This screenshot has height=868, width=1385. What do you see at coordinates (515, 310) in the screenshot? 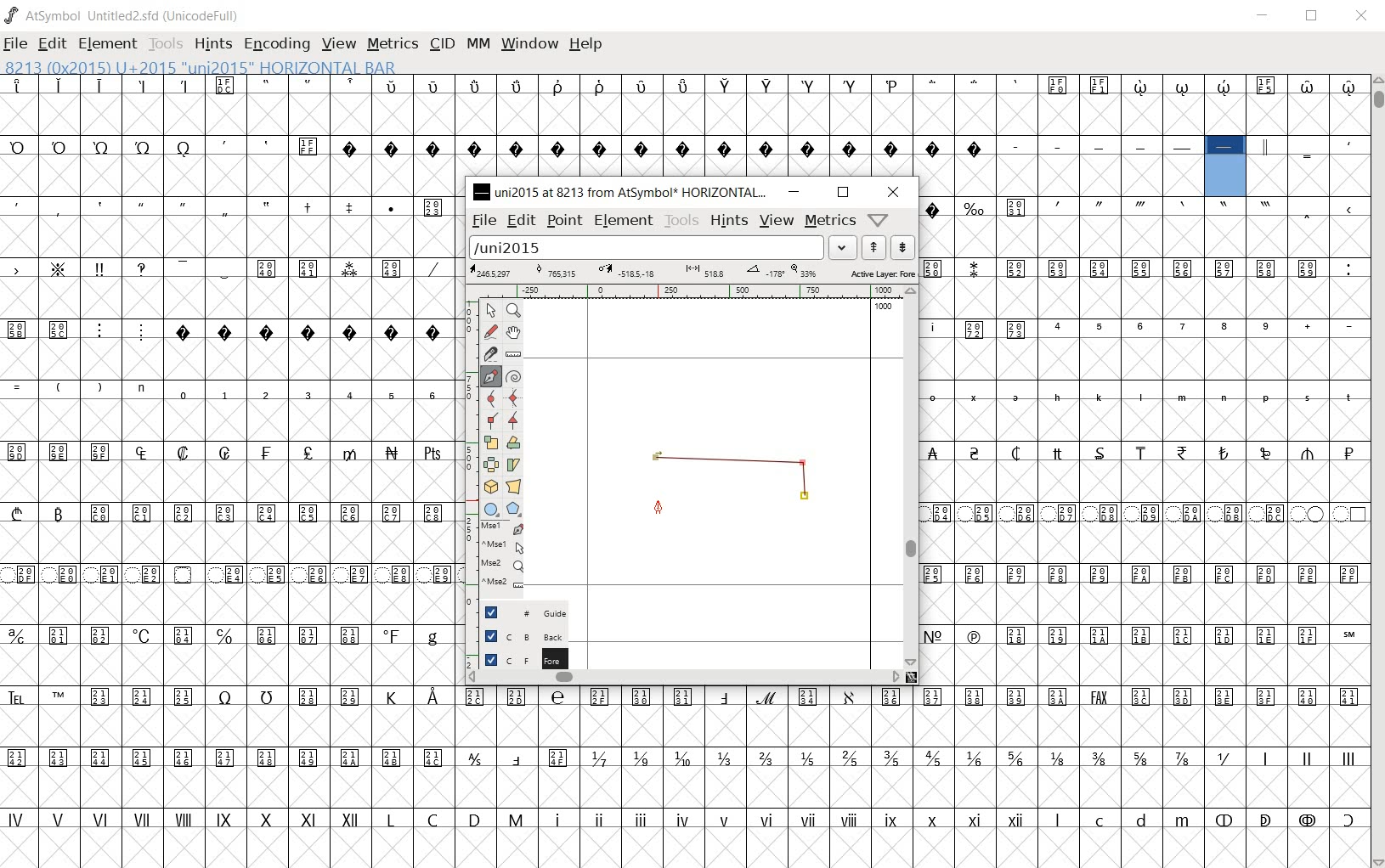
I see `MAGNIFY` at bounding box center [515, 310].